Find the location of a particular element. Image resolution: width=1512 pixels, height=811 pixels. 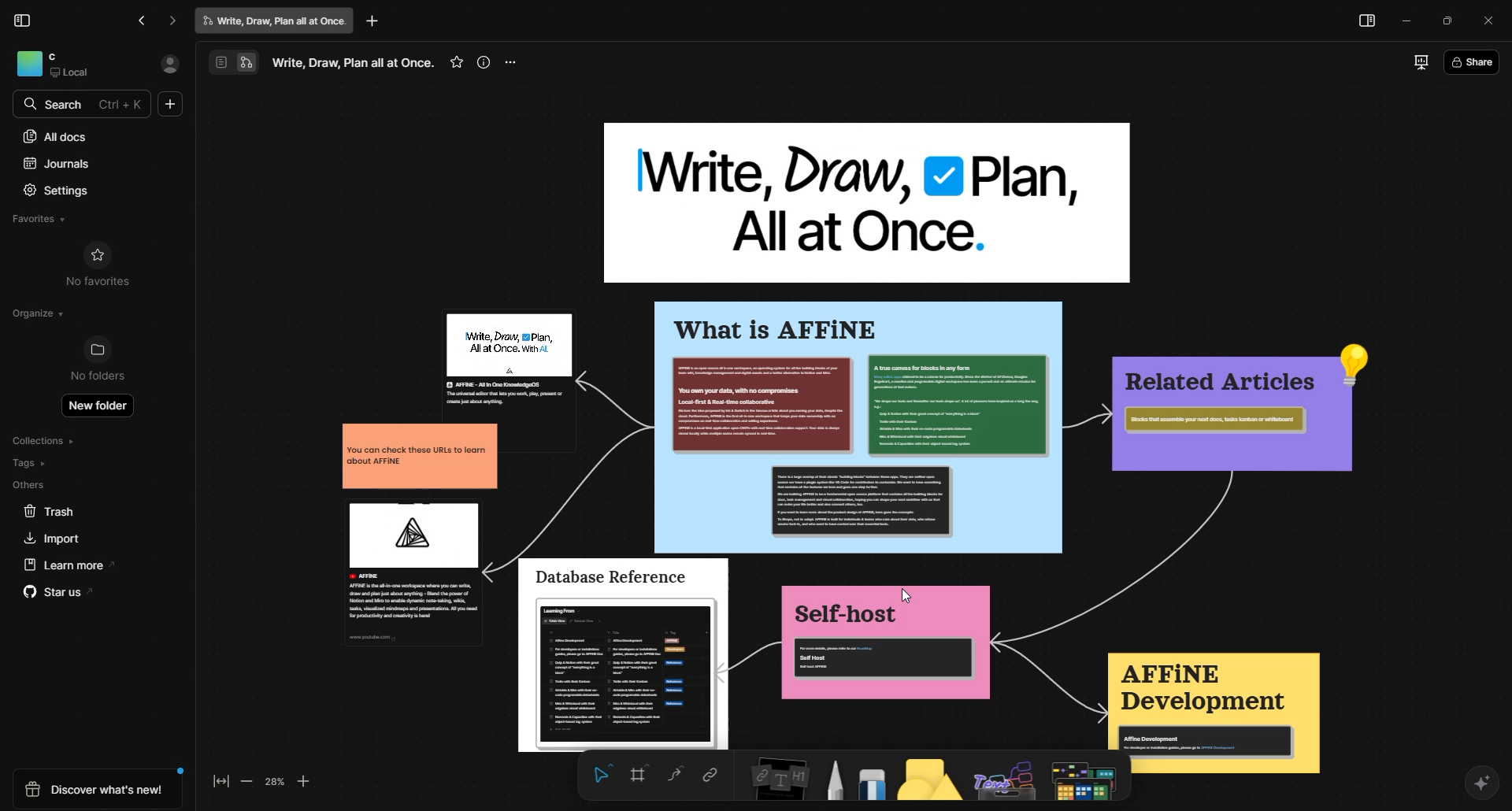

organize is located at coordinates (35, 313).